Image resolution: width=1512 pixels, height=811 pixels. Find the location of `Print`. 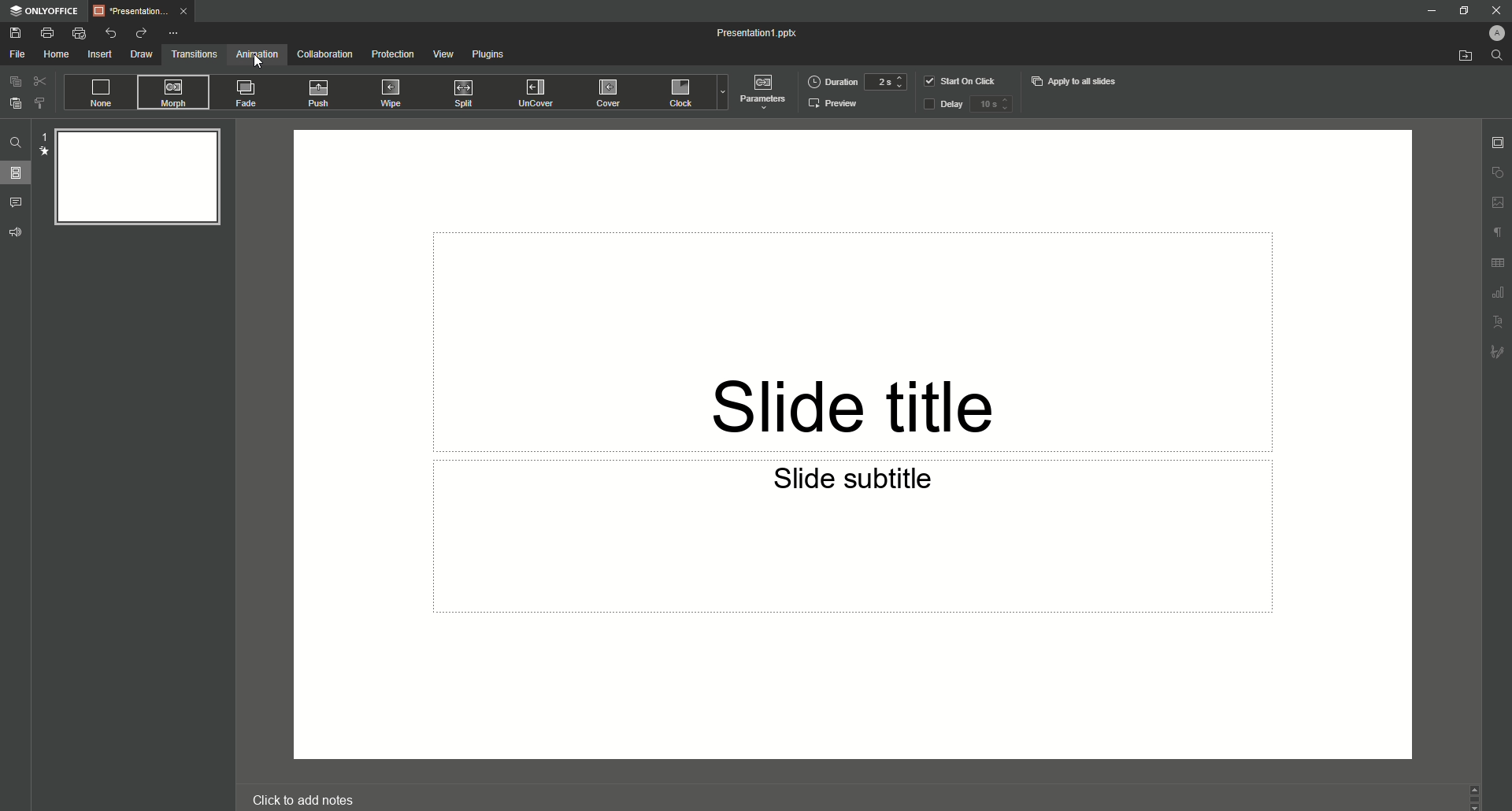

Print is located at coordinates (48, 32).